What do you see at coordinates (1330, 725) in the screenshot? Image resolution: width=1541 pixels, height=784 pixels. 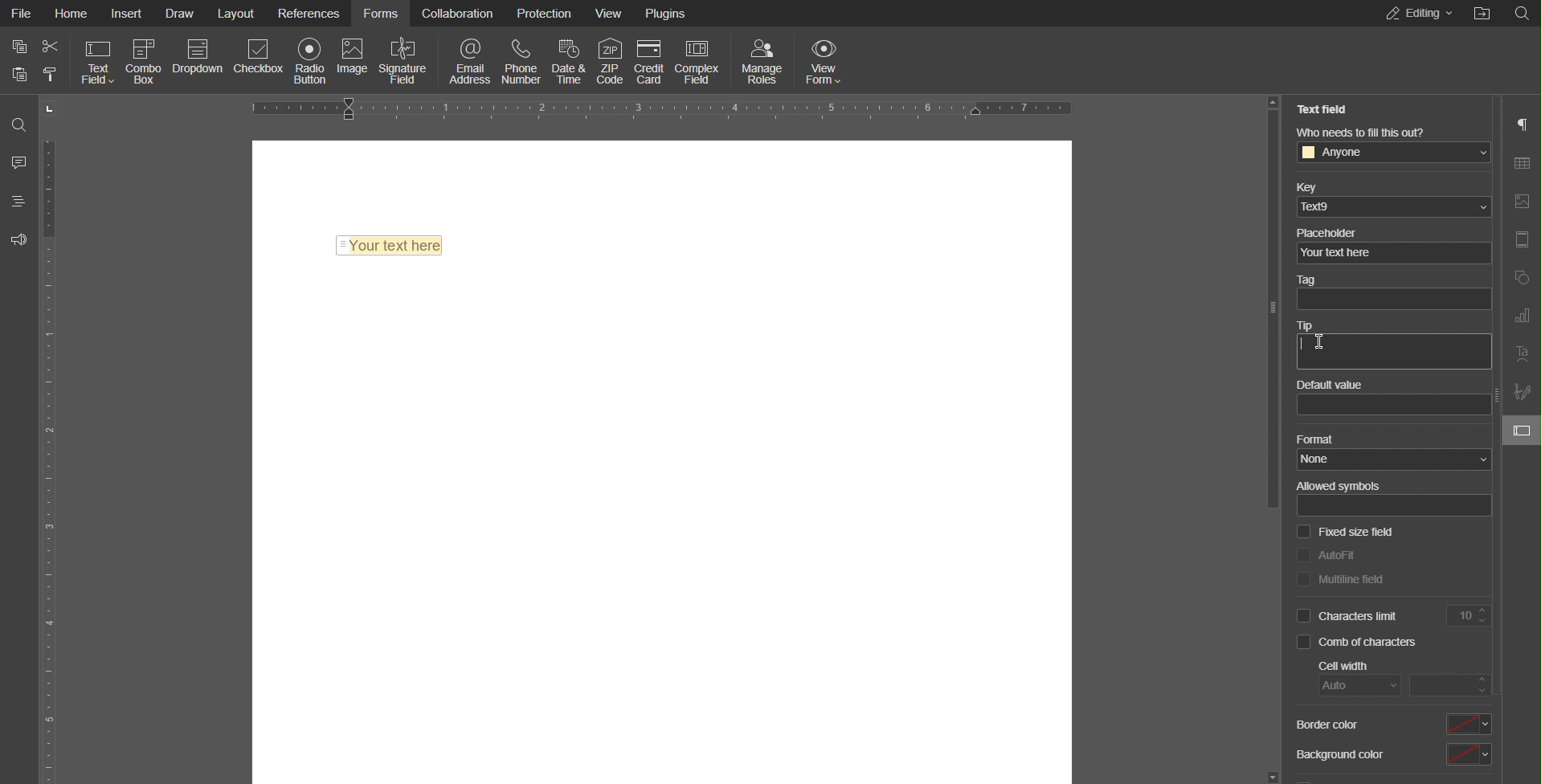 I see `Border Color` at bounding box center [1330, 725].